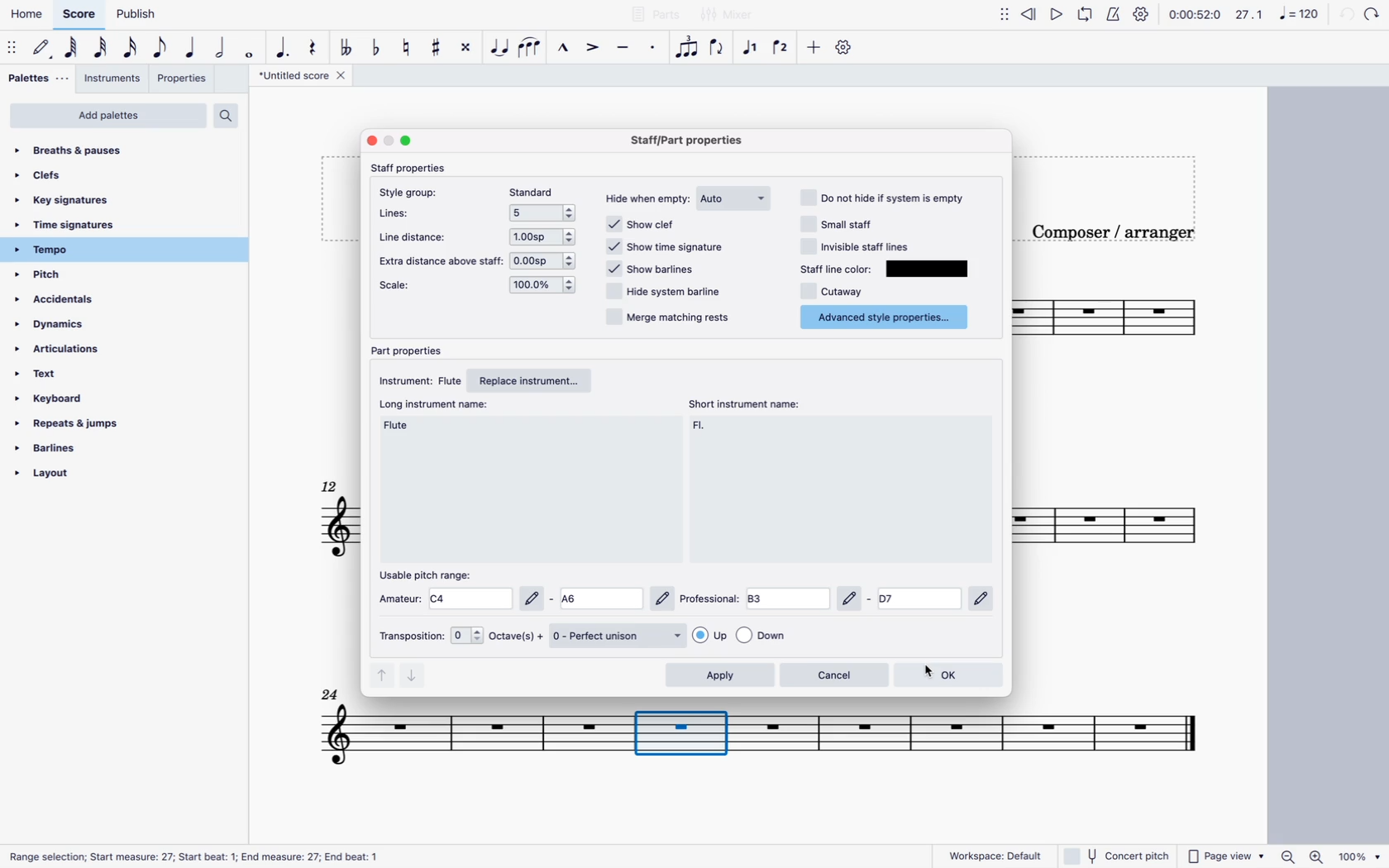 The height and width of the screenshot is (868, 1389). What do you see at coordinates (161, 48) in the screenshot?
I see `eighth note` at bounding box center [161, 48].